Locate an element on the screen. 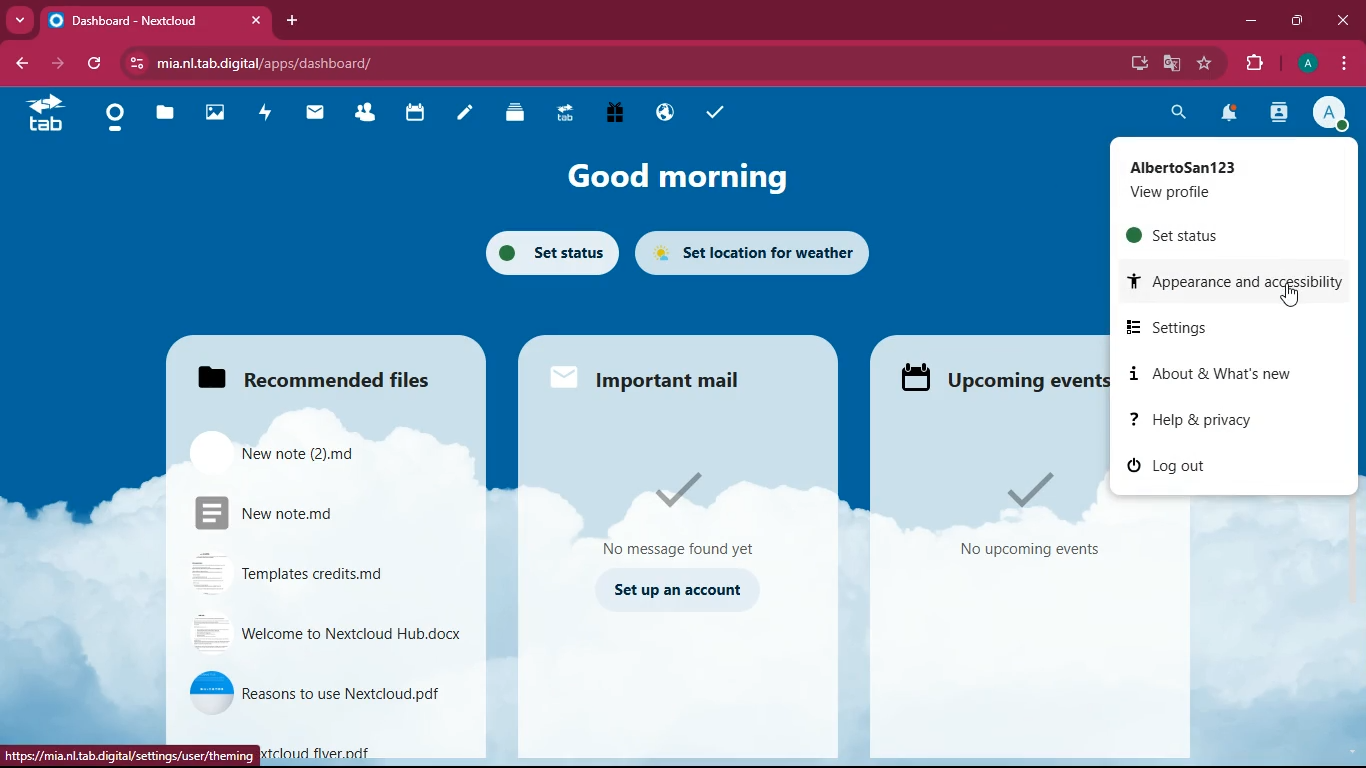  add tab is located at coordinates (291, 19).